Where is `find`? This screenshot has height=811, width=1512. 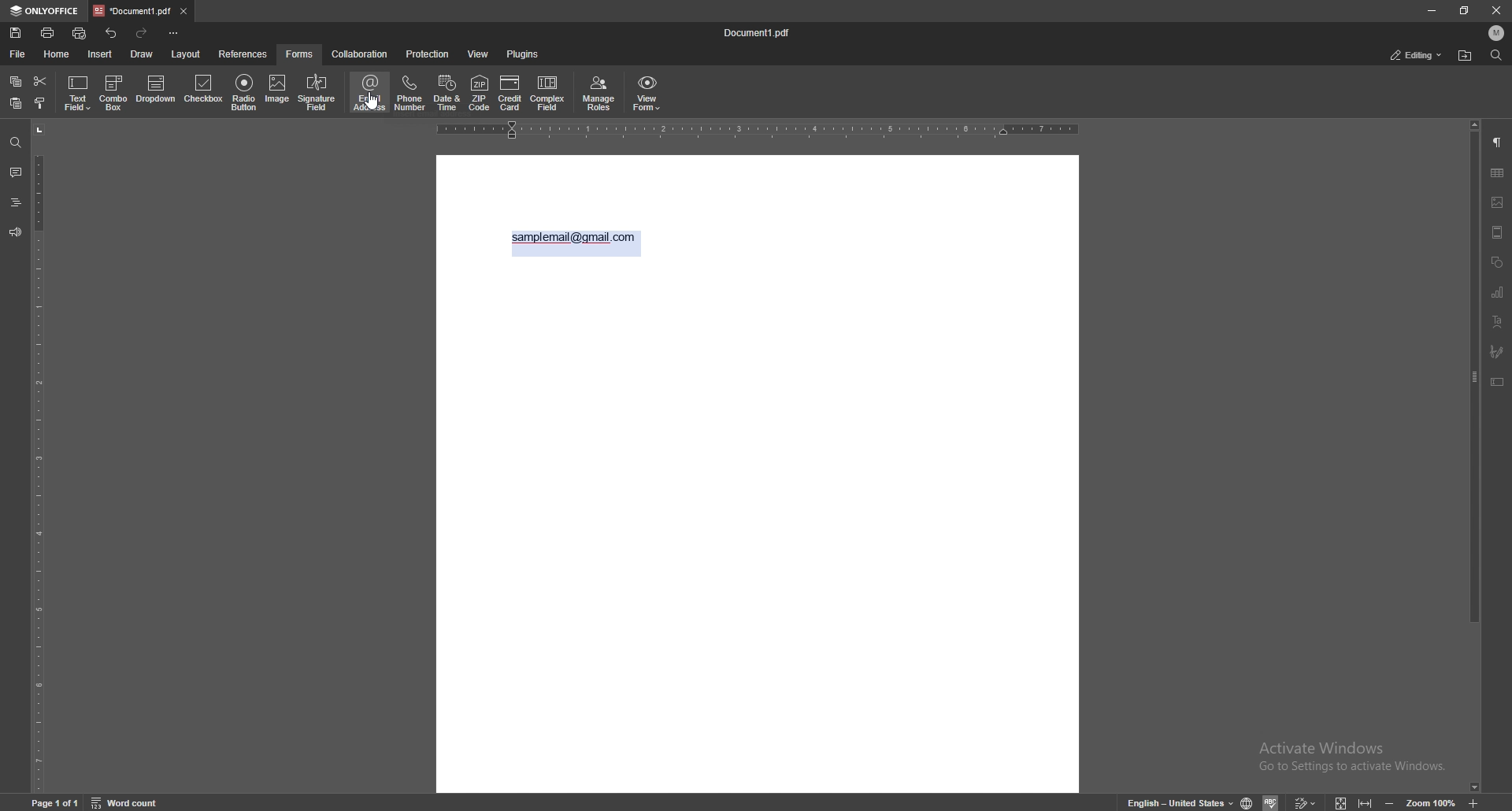
find is located at coordinates (1495, 54).